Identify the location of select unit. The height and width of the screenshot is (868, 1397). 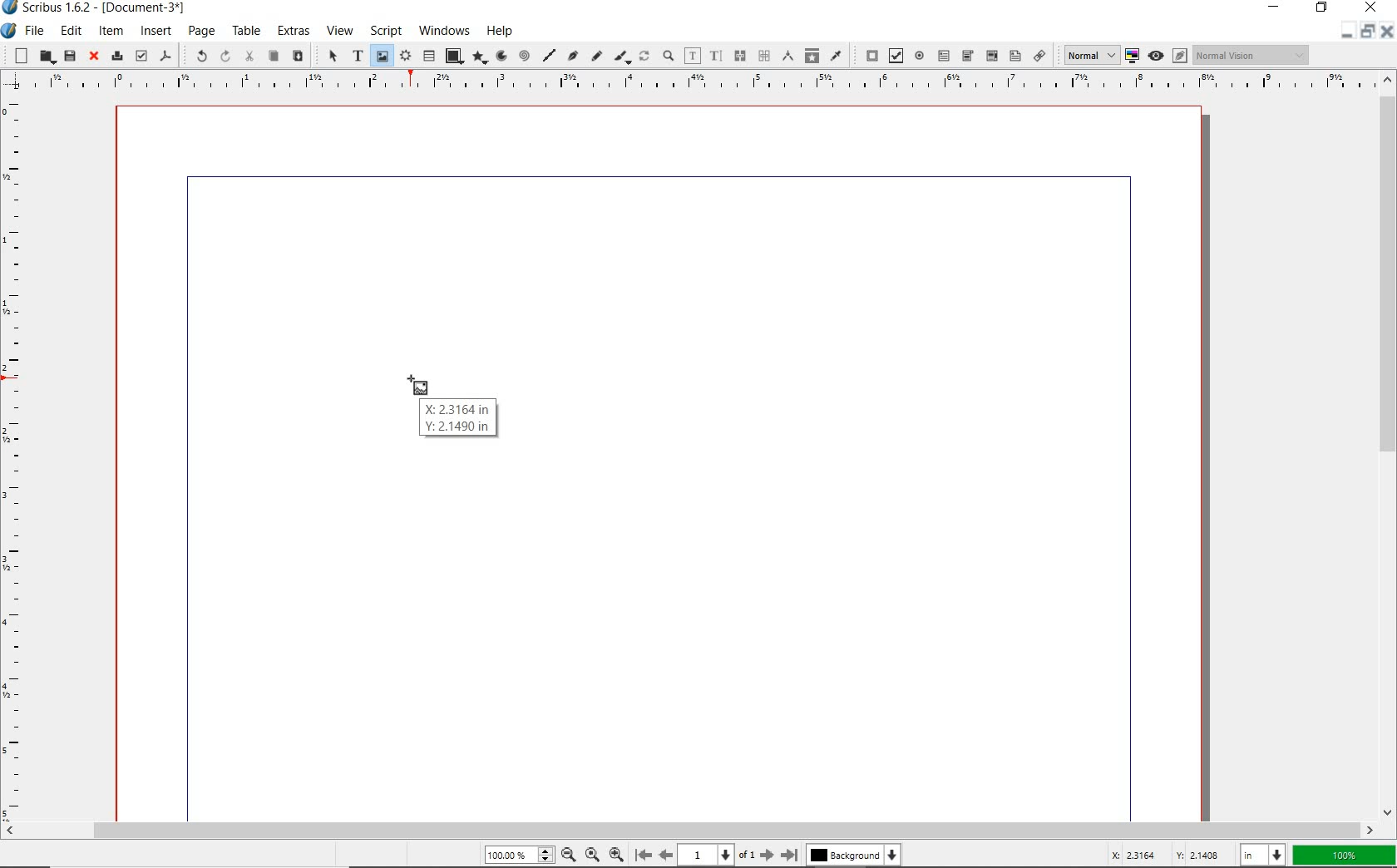
(1261, 855).